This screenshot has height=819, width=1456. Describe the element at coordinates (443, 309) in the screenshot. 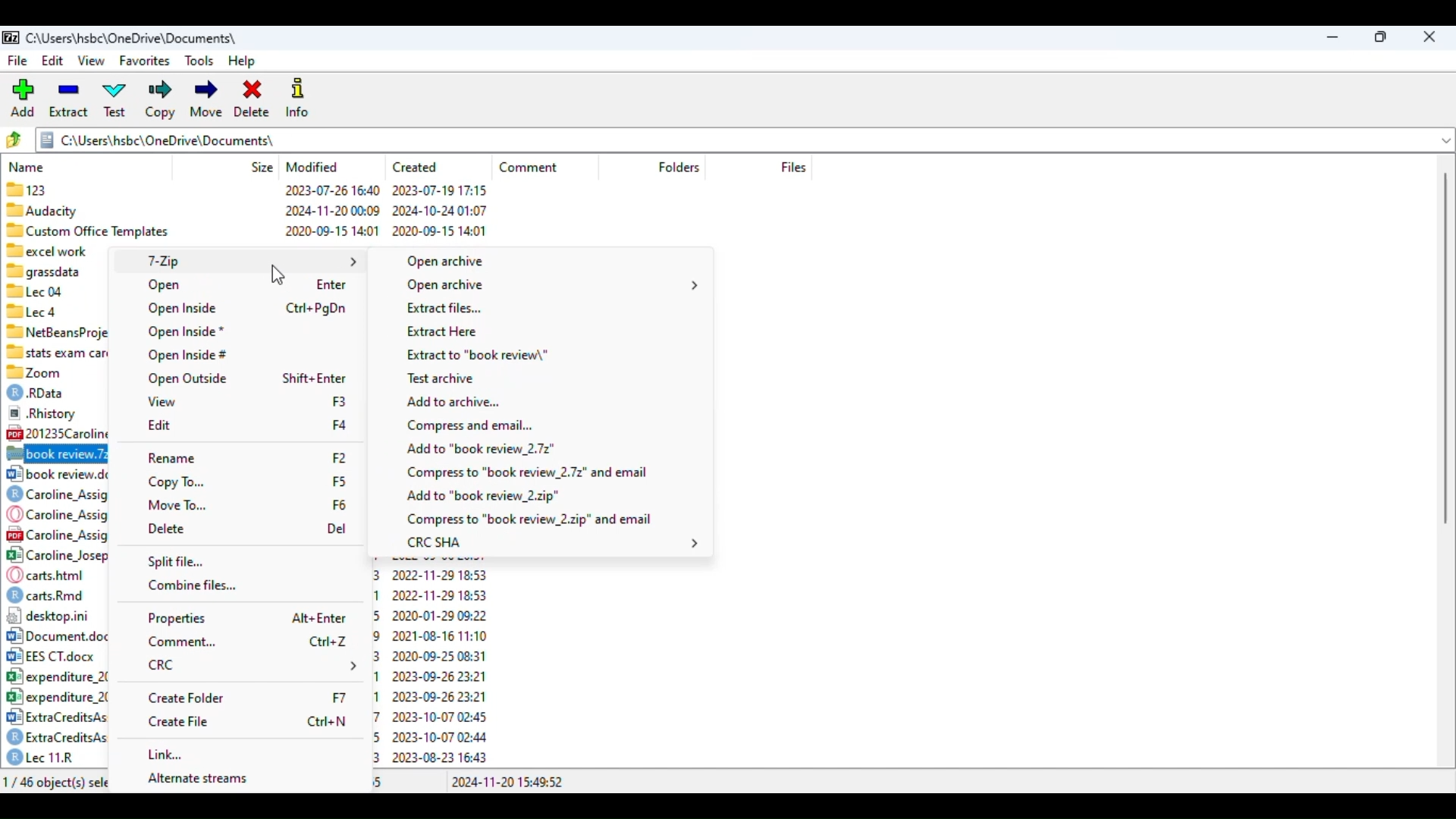

I see `extract files` at that location.